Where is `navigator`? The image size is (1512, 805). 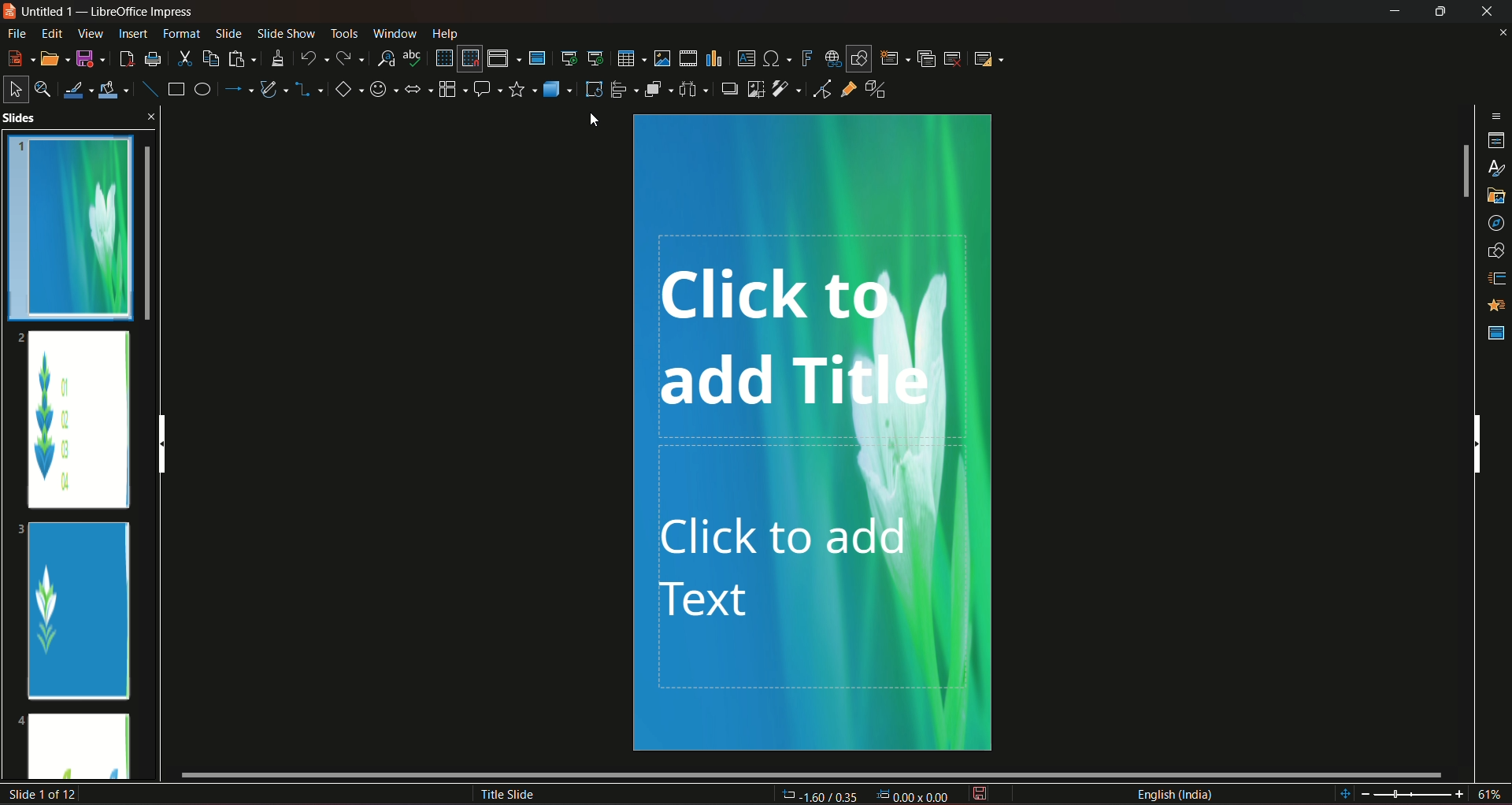
navigator is located at coordinates (1494, 223).